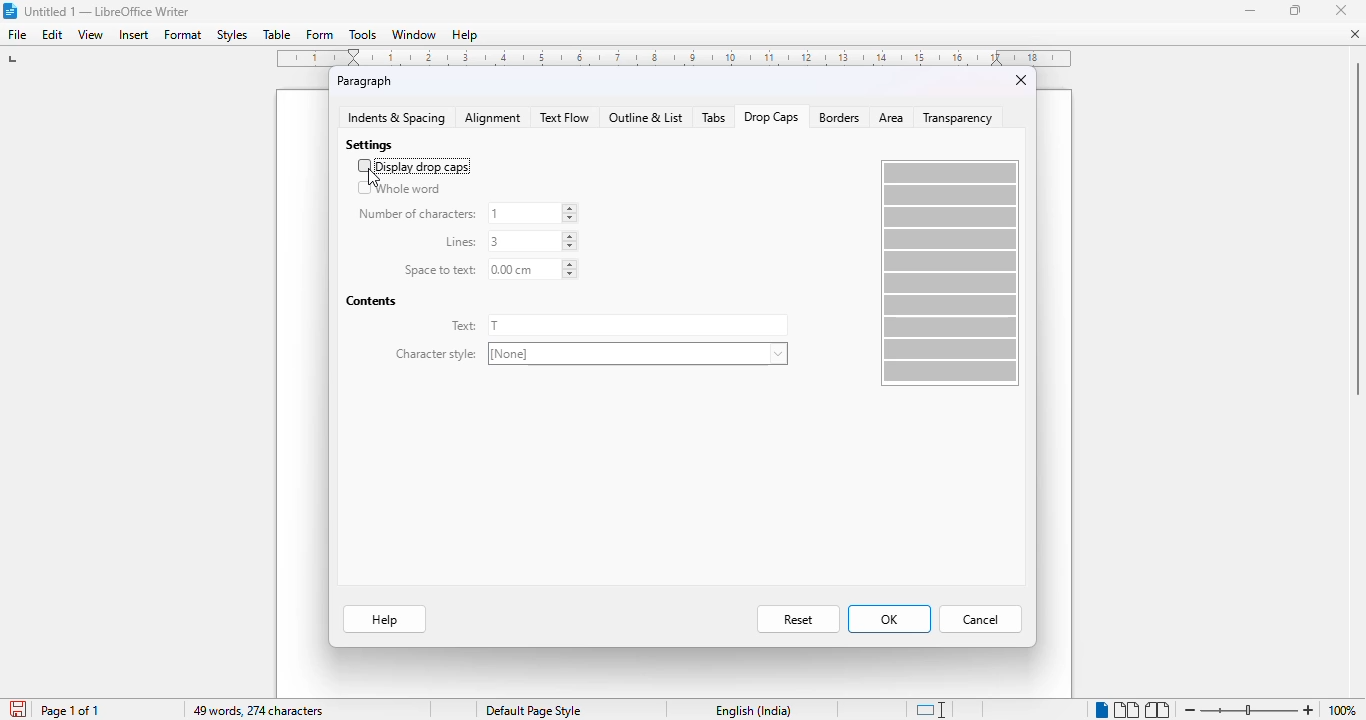  What do you see at coordinates (184, 34) in the screenshot?
I see `format` at bounding box center [184, 34].